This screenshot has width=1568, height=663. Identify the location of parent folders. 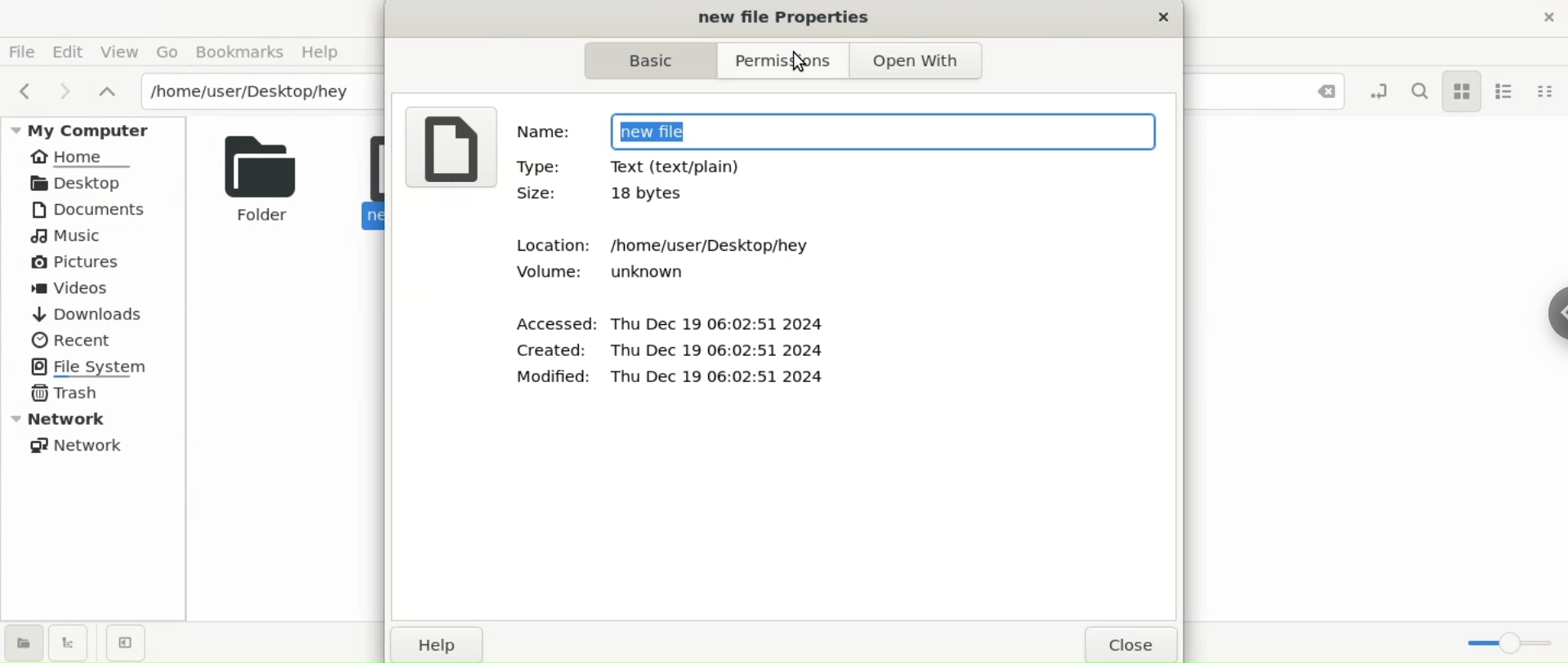
(106, 90).